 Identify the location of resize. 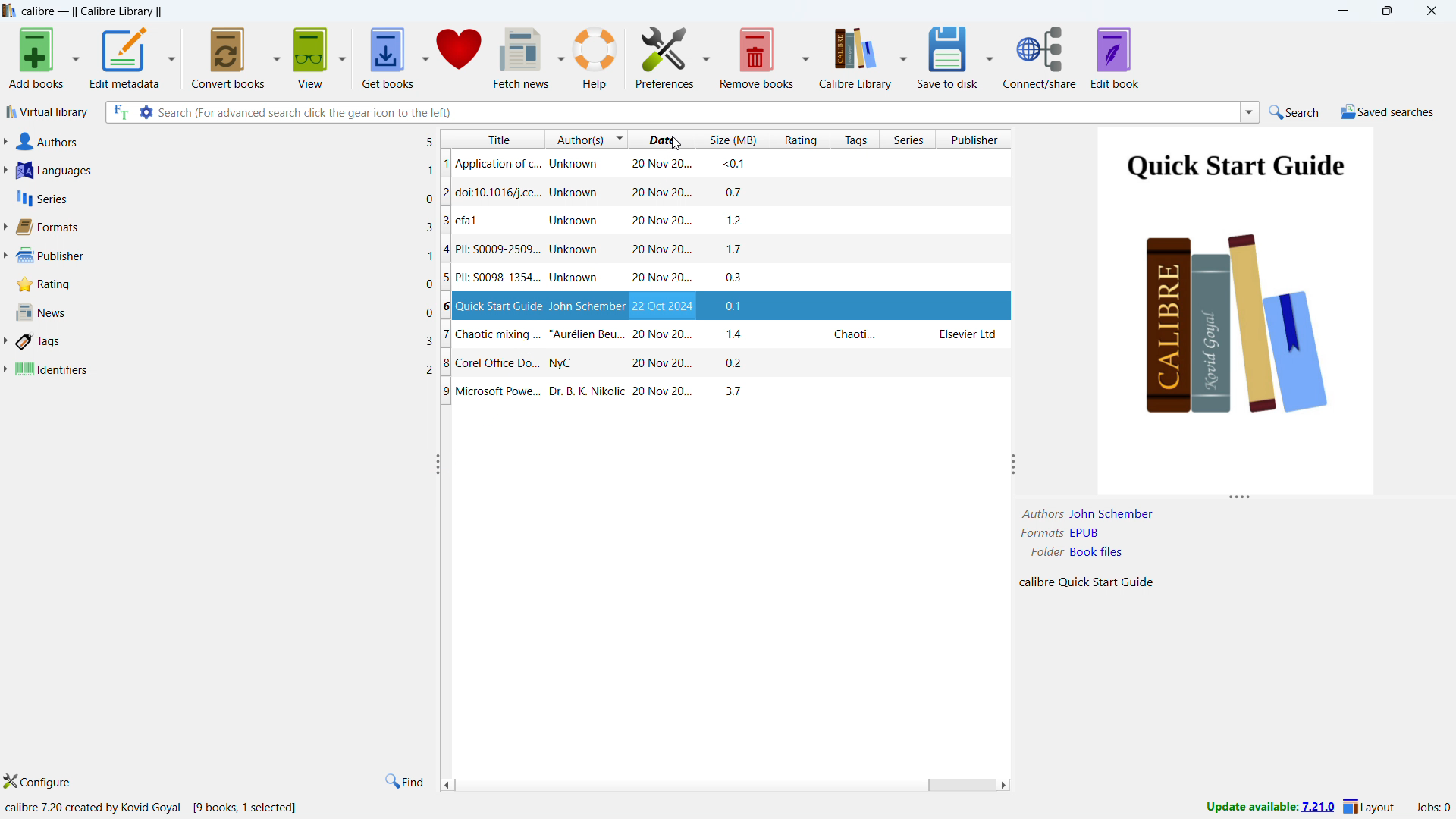
(1014, 466).